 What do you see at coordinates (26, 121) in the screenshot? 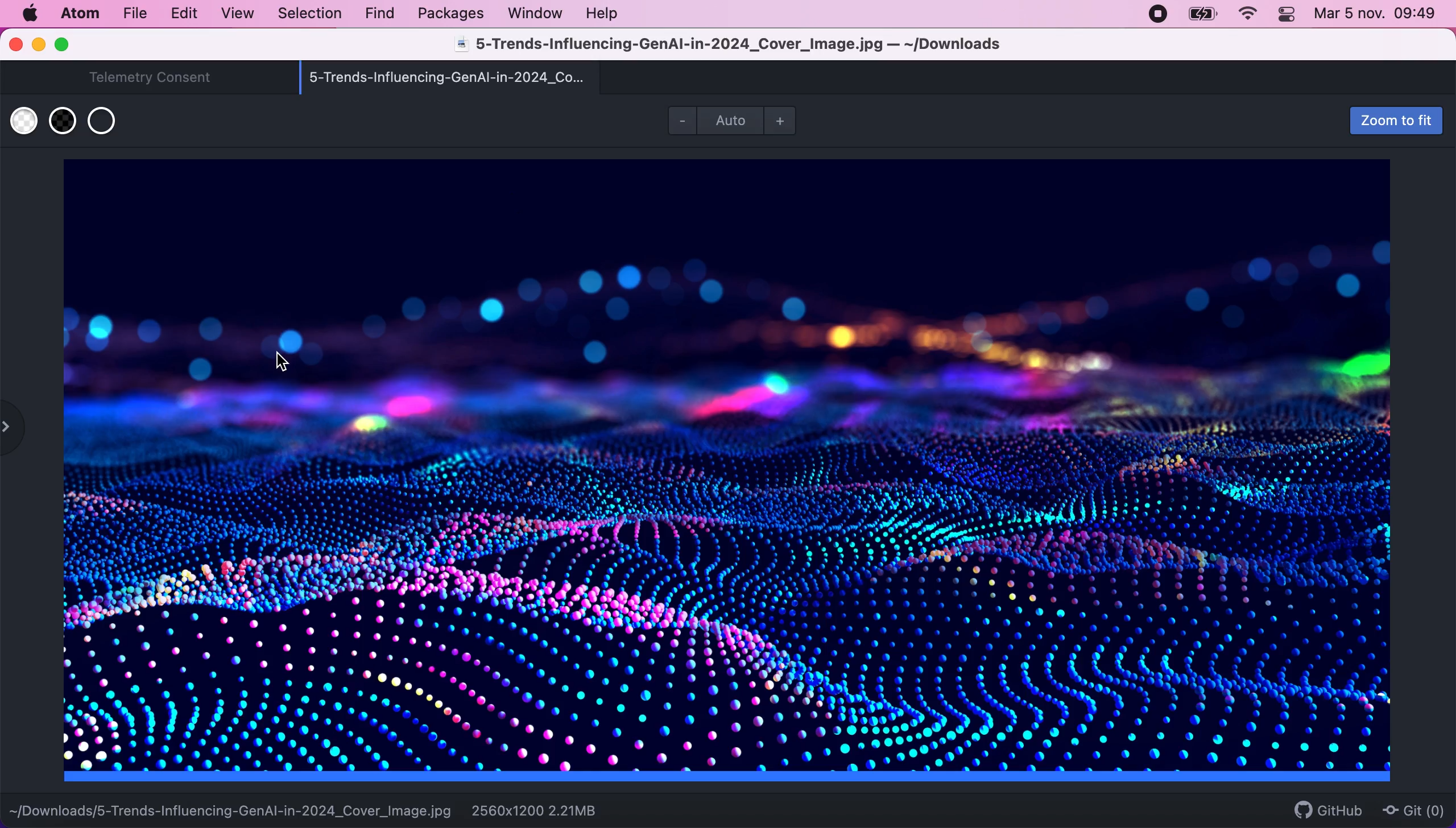
I see `use white transparent background` at bounding box center [26, 121].